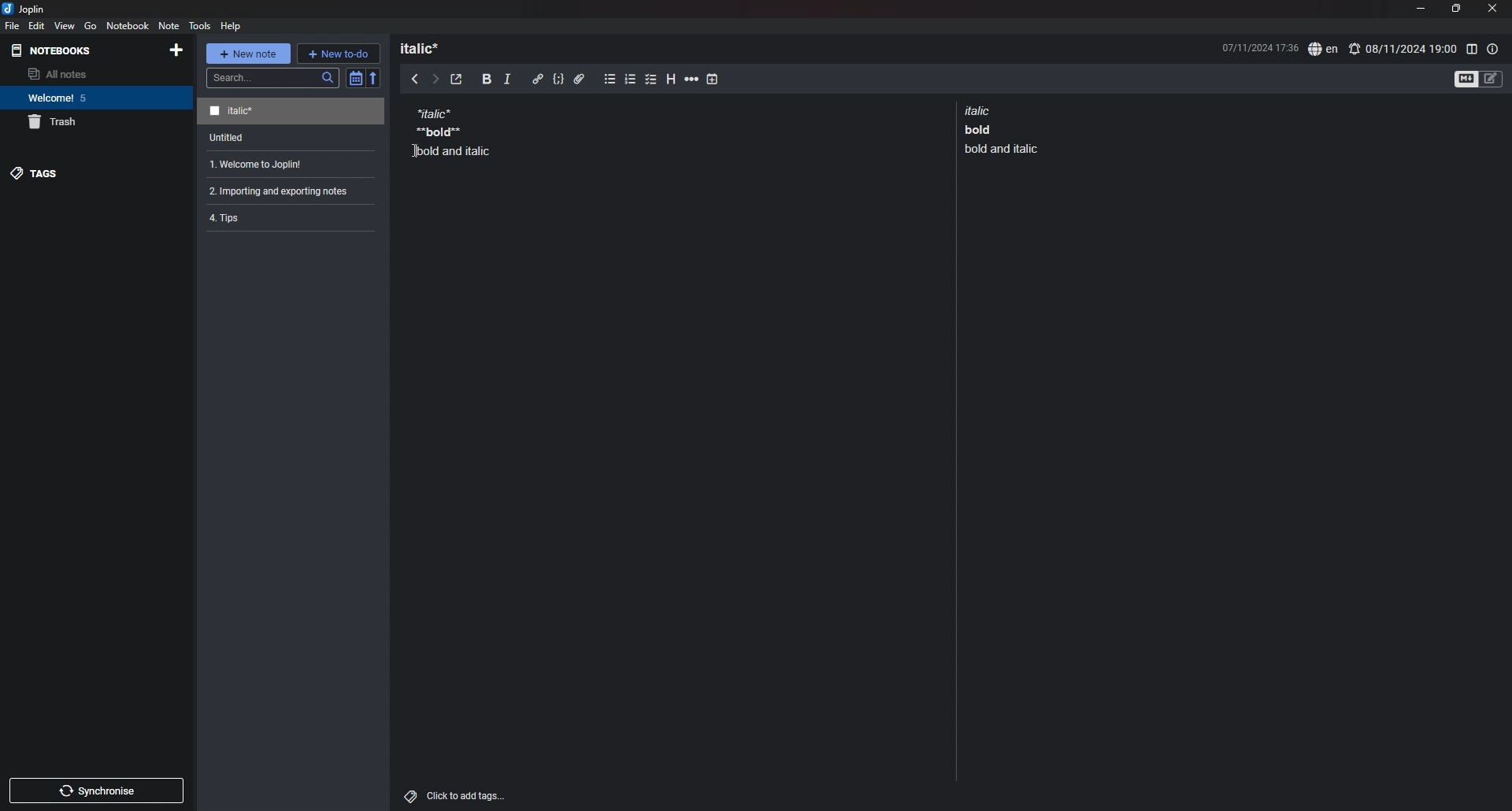 This screenshot has width=1512, height=811. I want to click on edit, so click(37, 25).